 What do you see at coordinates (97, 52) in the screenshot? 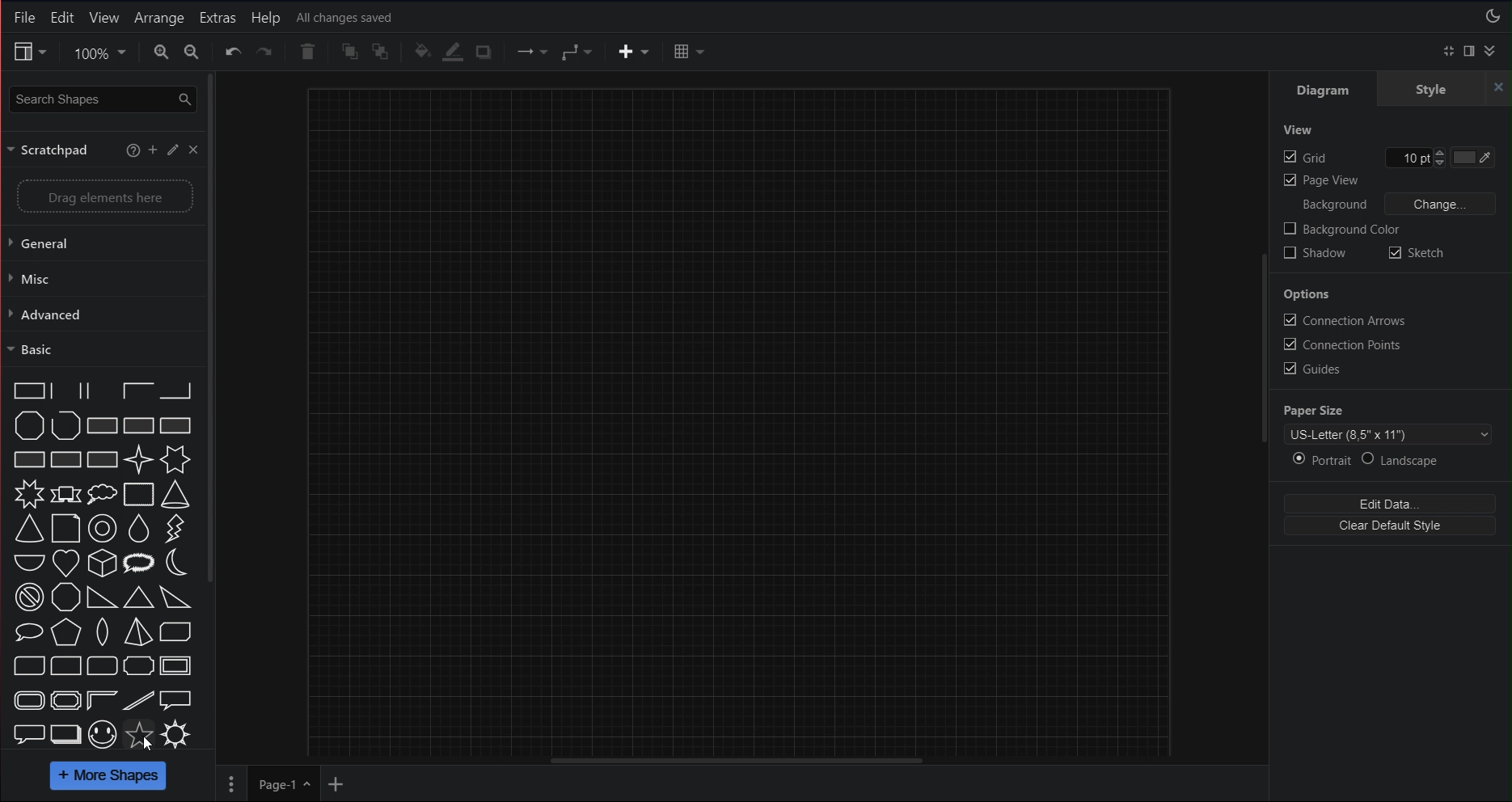
I see `Zoom 100%` at bounding box center [97, 52].